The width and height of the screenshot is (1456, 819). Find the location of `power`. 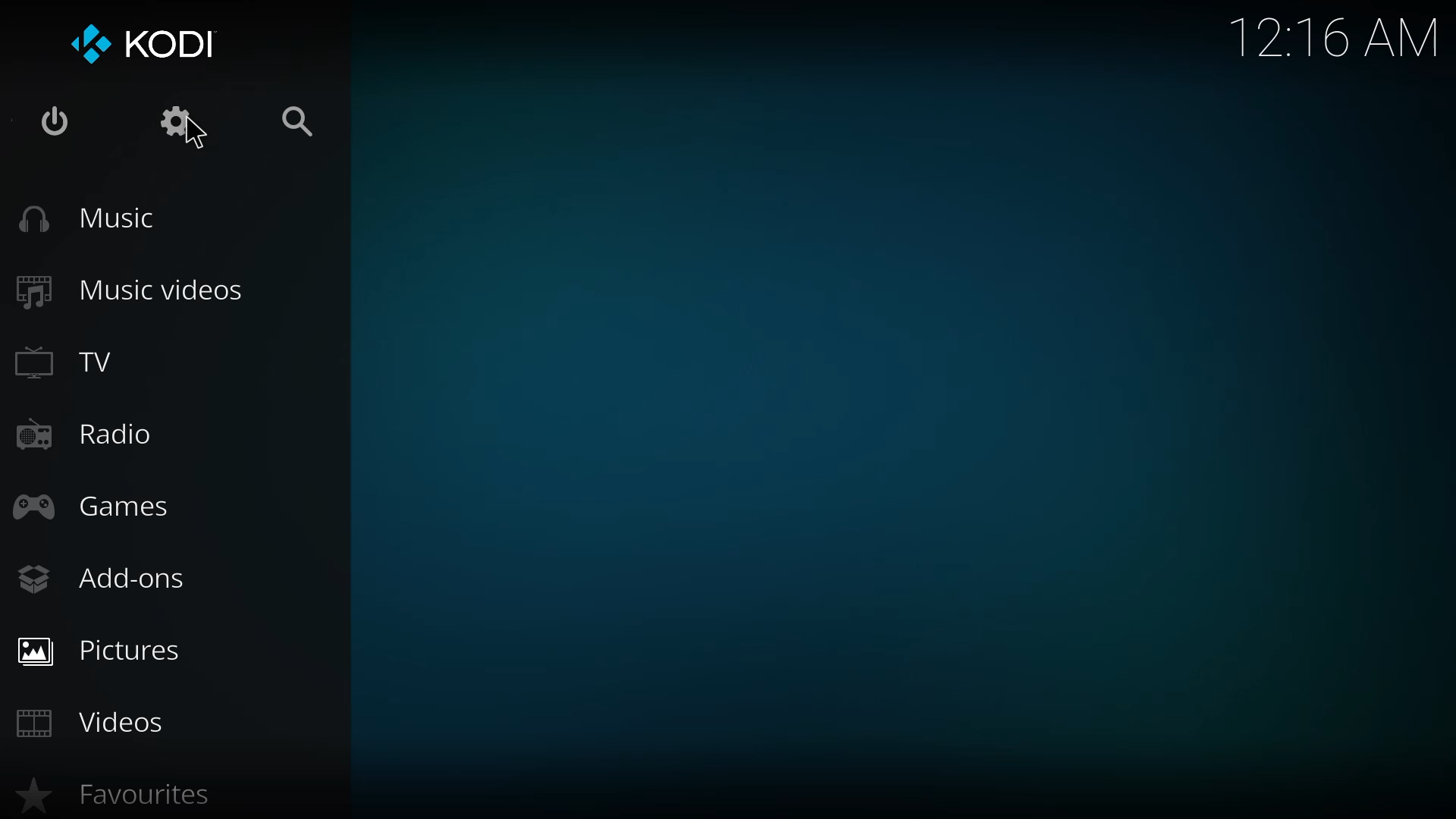

power is located at coordinates (51, 125).